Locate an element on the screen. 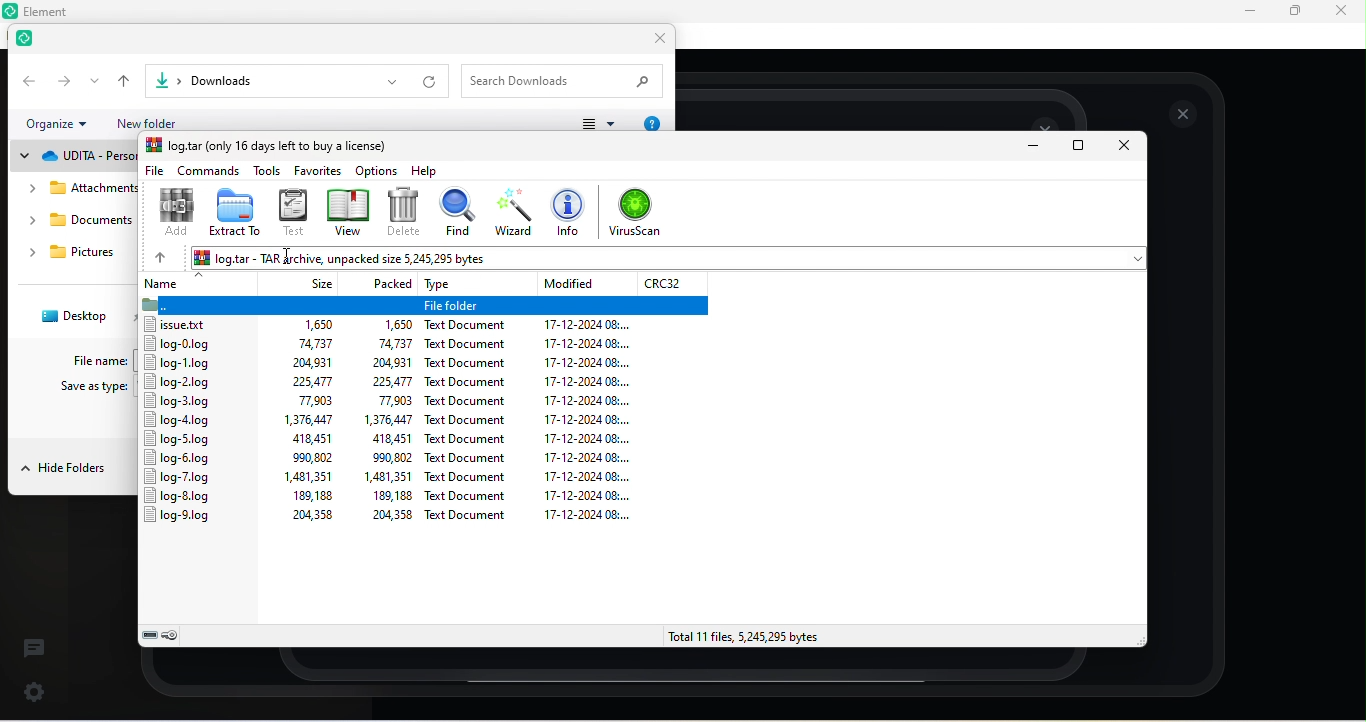  1,376,447 is located at coordinates (309, 419).